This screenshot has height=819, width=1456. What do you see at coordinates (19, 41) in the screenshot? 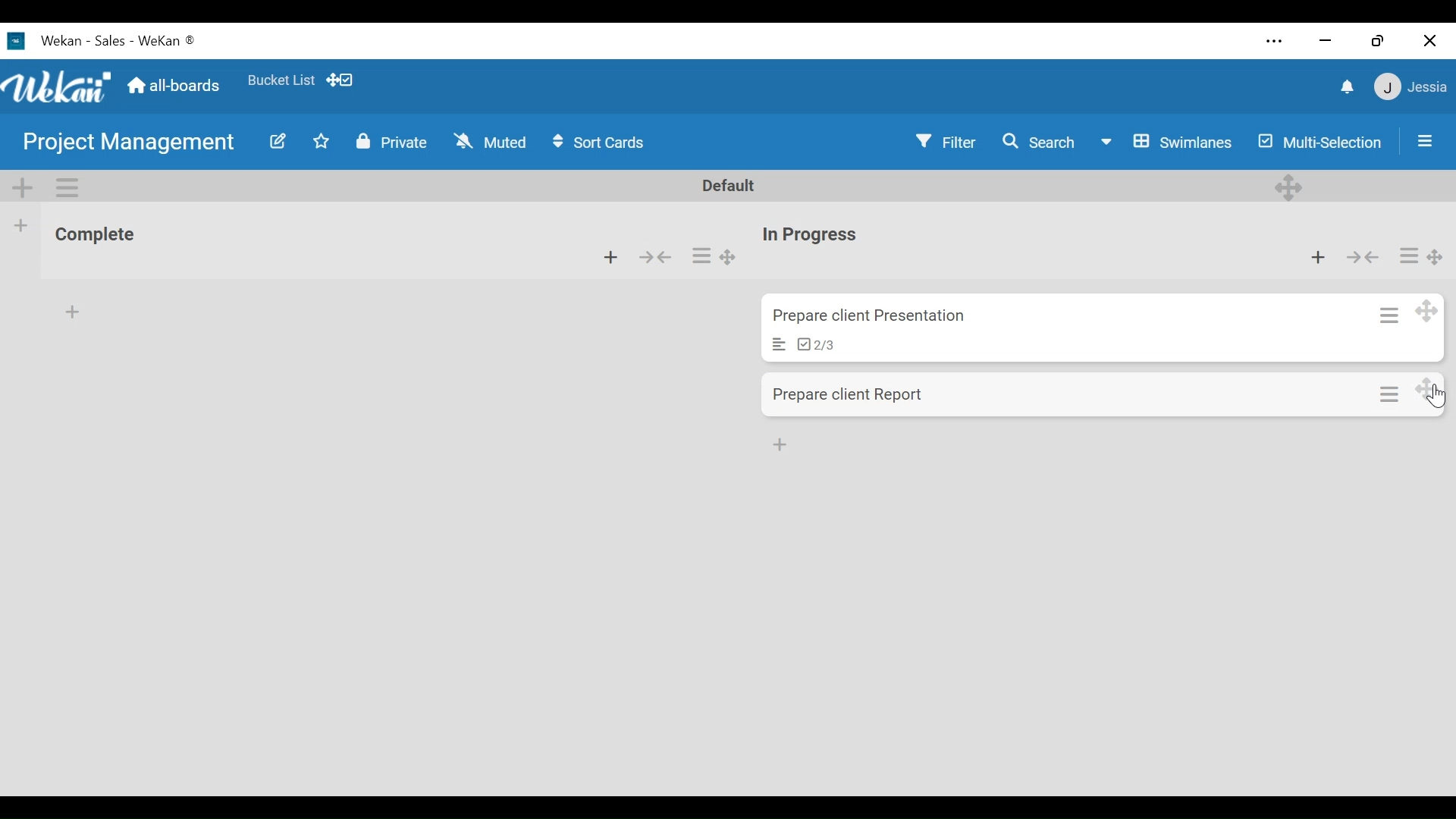
I see `Wekan logo` at bounding box center [19, 41].